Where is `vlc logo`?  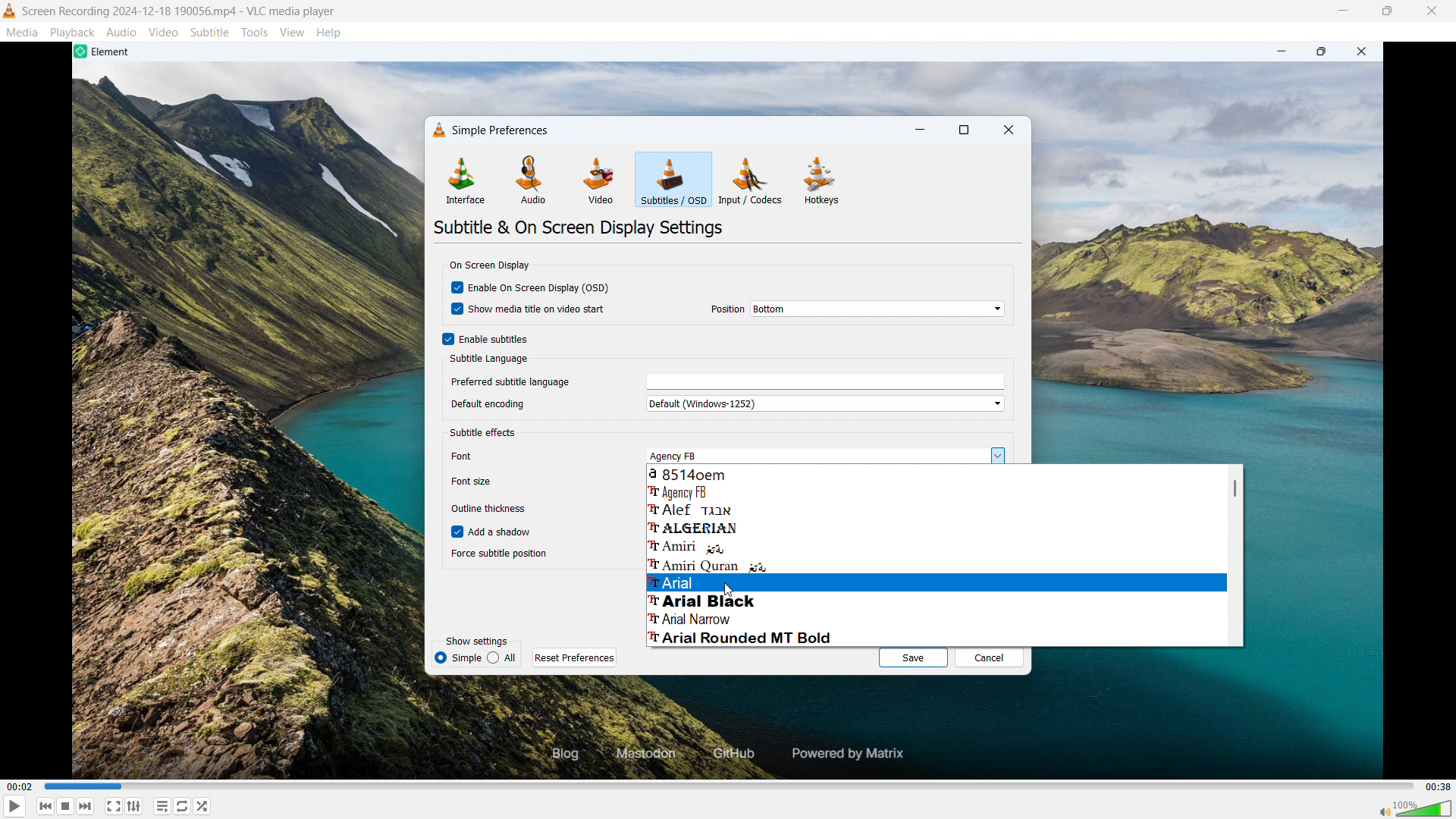
vlc logo is located at coordinates (440, 130).